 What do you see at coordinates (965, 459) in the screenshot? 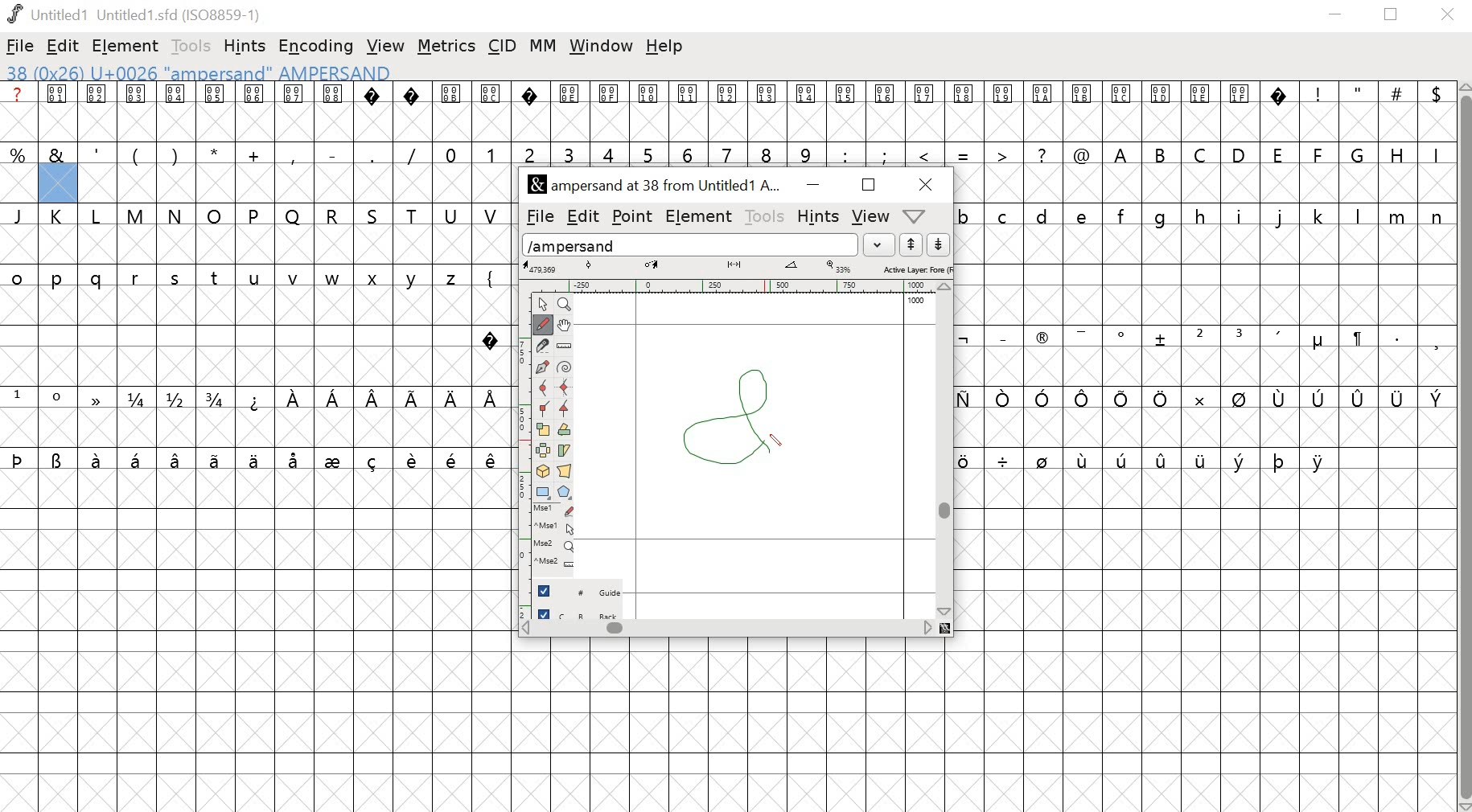
I see `symbol` at bounding box center [965, 459].